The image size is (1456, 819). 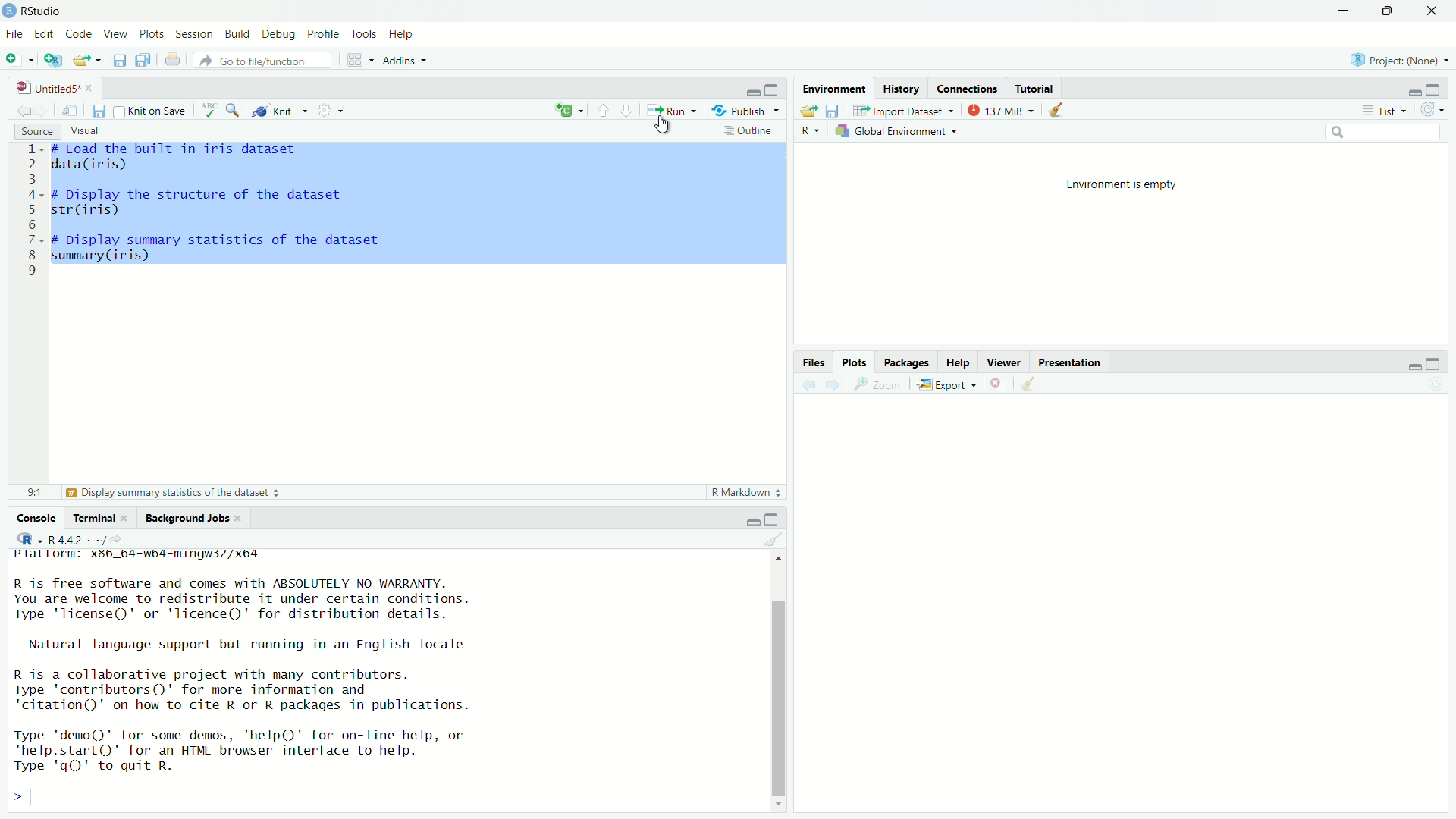 What do you see at coordinates (194, 519) in the screenshot?
I see `Background Jobs` at bounding box center [194, 519].